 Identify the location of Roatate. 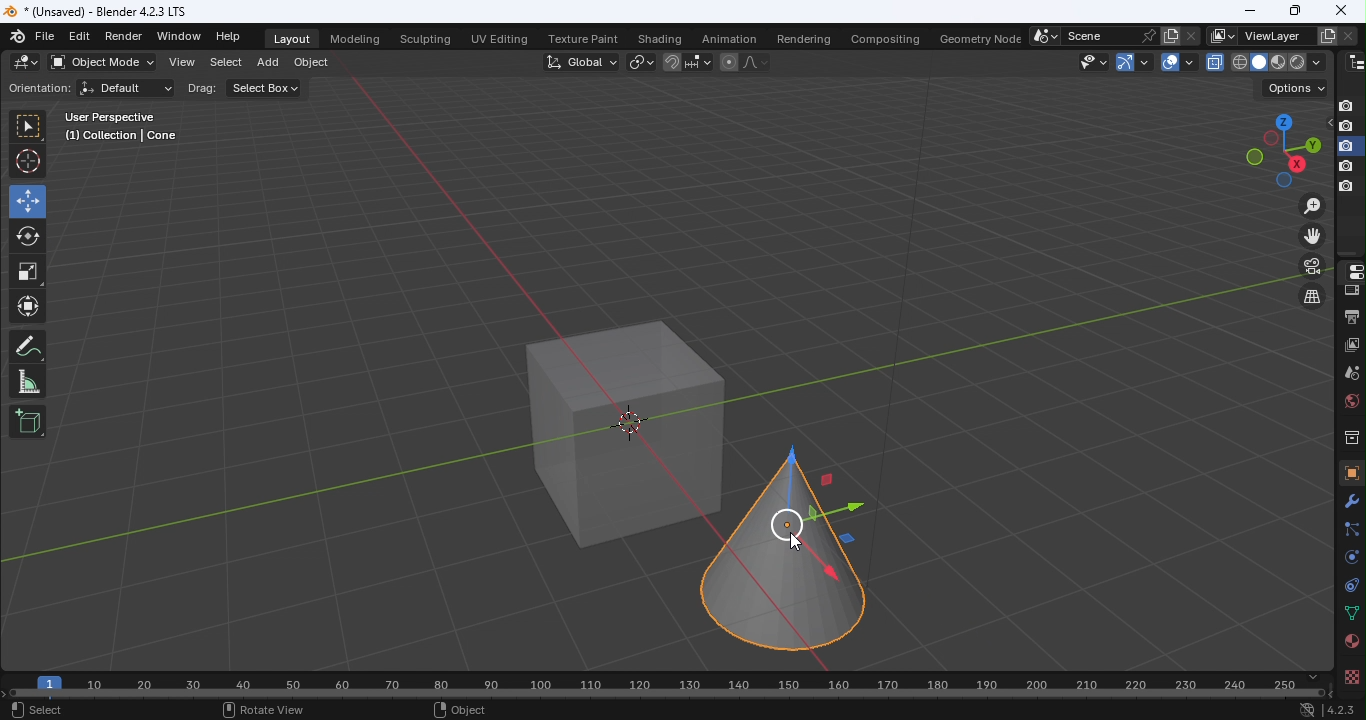
(28, 234).